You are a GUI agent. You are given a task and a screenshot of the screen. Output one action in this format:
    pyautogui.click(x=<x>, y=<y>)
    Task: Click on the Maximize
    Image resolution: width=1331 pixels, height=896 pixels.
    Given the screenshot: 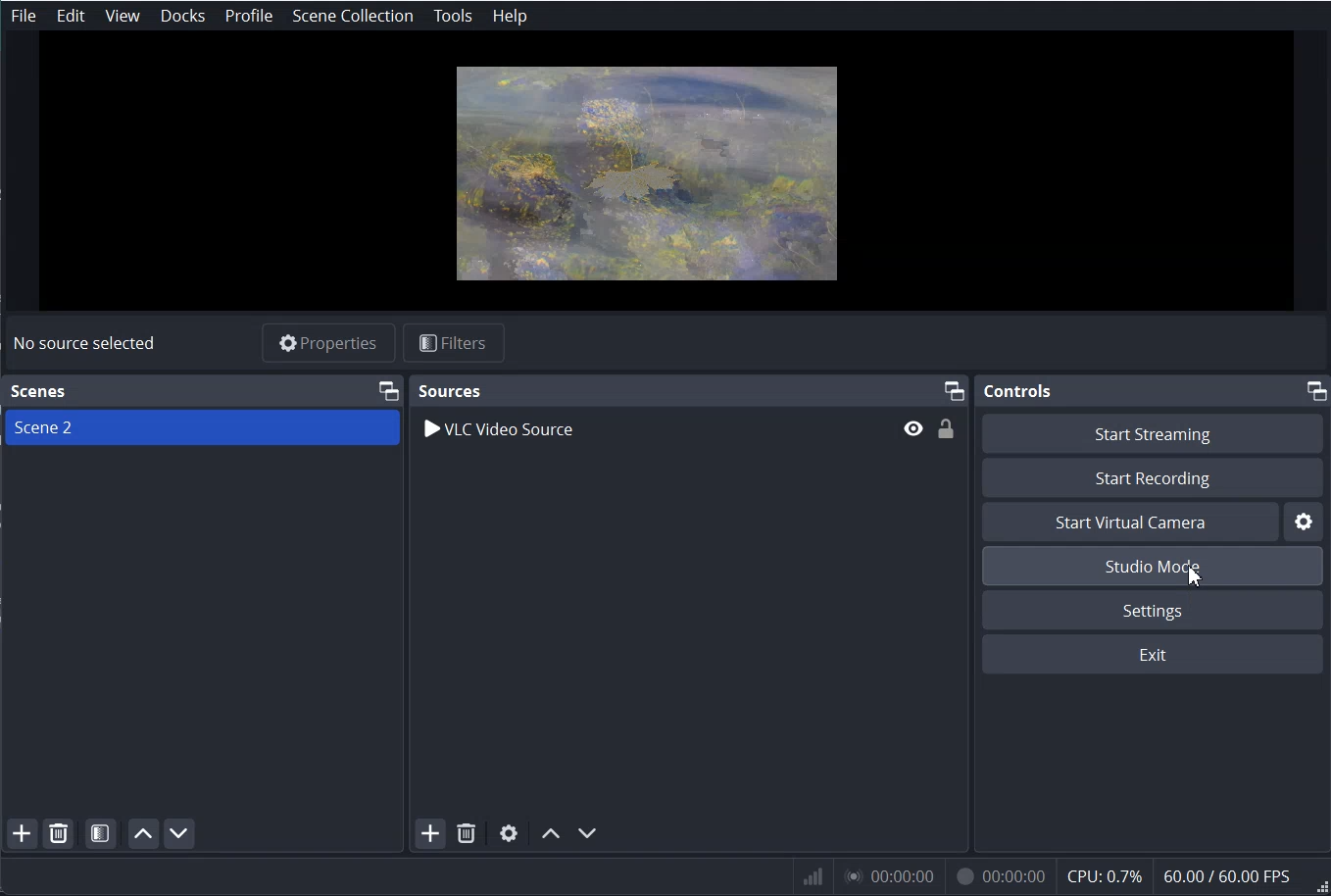 What is the action you would take?
    pyautogui.click(x=388, y=389)
    